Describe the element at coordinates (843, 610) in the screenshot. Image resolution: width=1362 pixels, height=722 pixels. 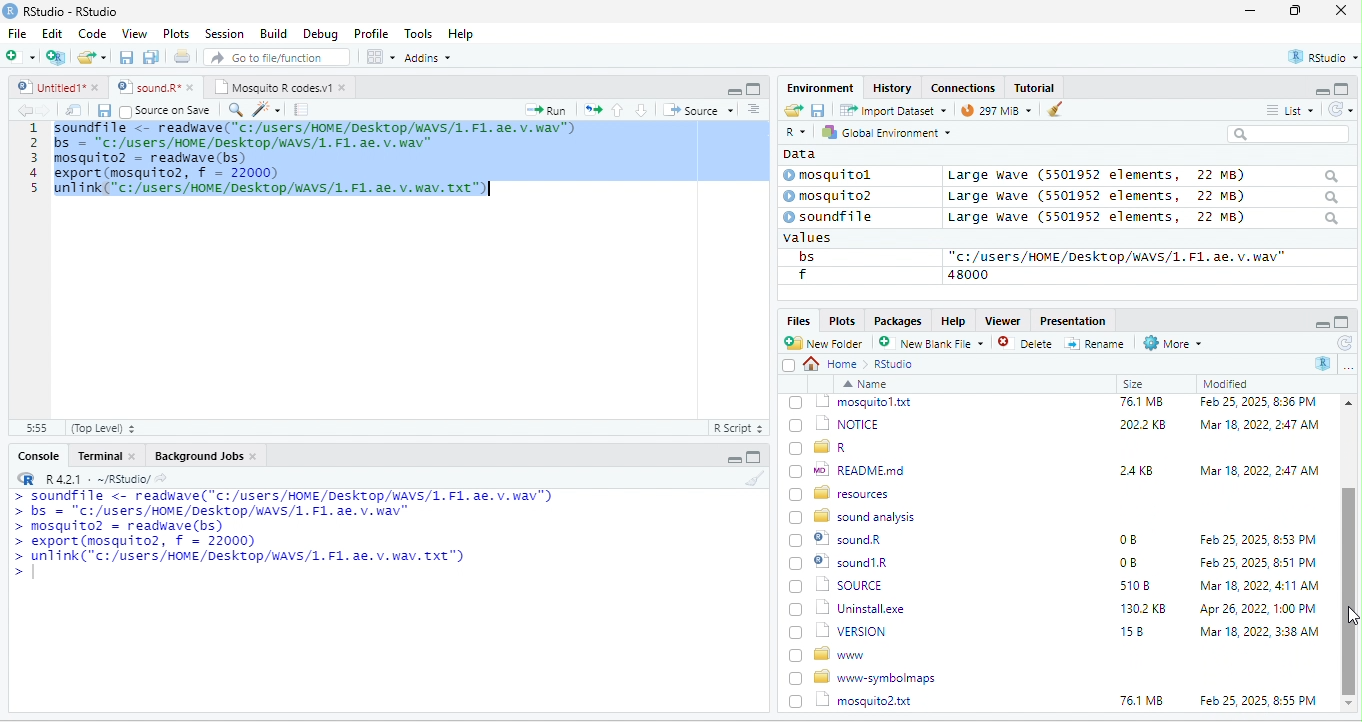
I see `BD resources` at that location.